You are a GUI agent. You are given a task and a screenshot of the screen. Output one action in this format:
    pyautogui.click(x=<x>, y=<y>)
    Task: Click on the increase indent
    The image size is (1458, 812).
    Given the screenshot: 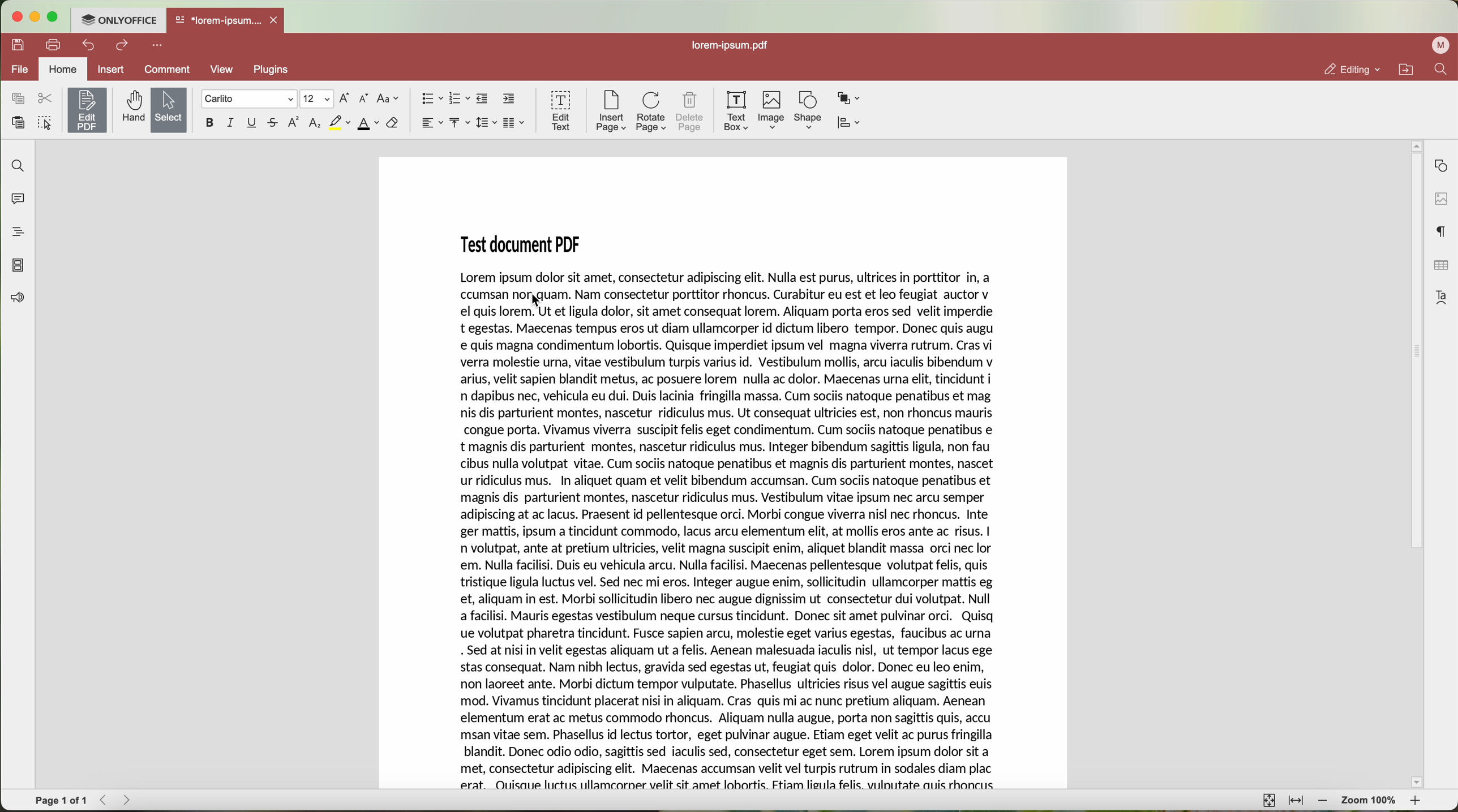 What is the action you would take?
    pyautogui.click(x=510, y=99)
    